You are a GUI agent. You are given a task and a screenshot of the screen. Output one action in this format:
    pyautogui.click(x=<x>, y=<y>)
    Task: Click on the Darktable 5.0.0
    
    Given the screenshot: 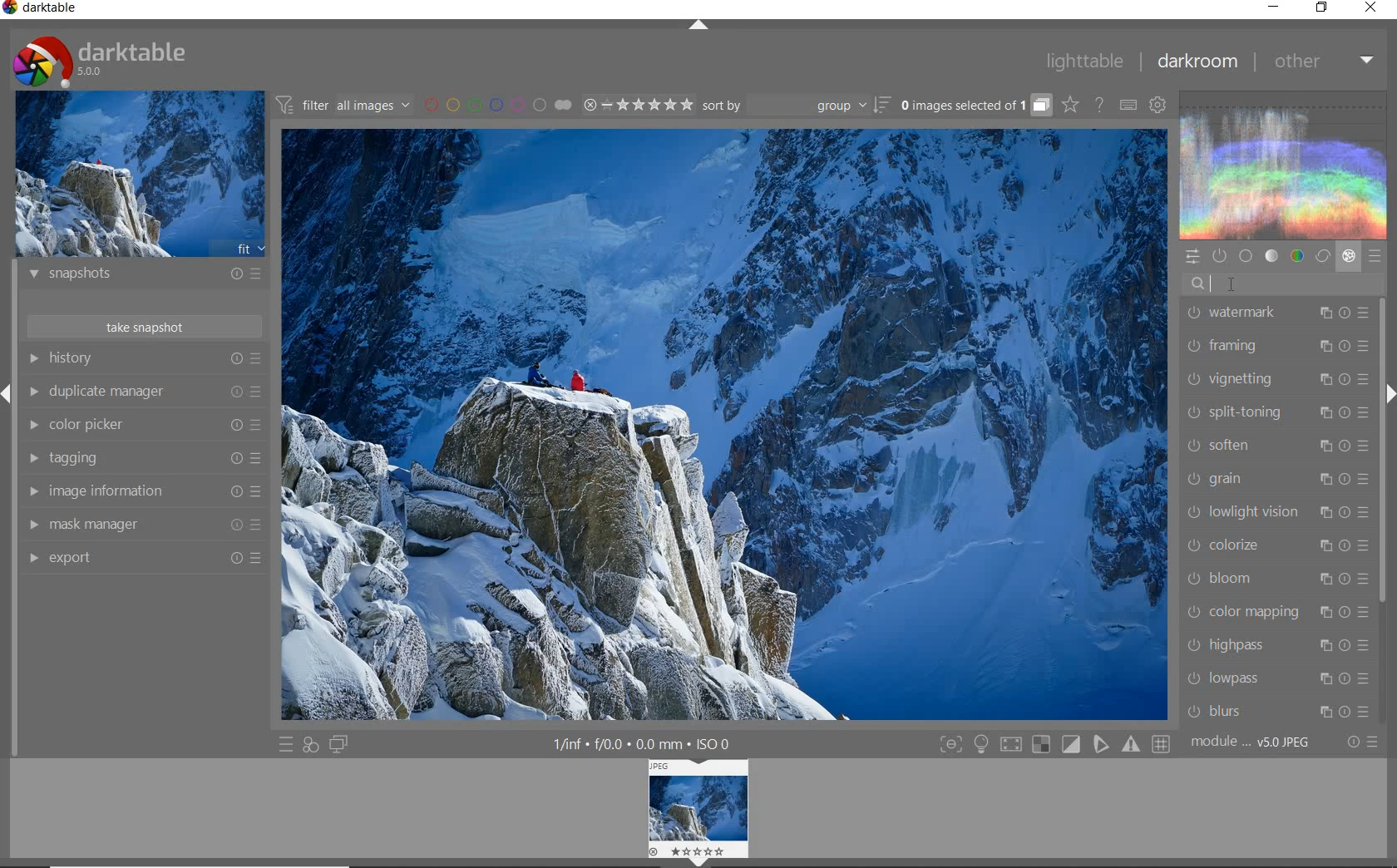 What is the action you would take?
    pyautogui.click(x=100, y=62)
    